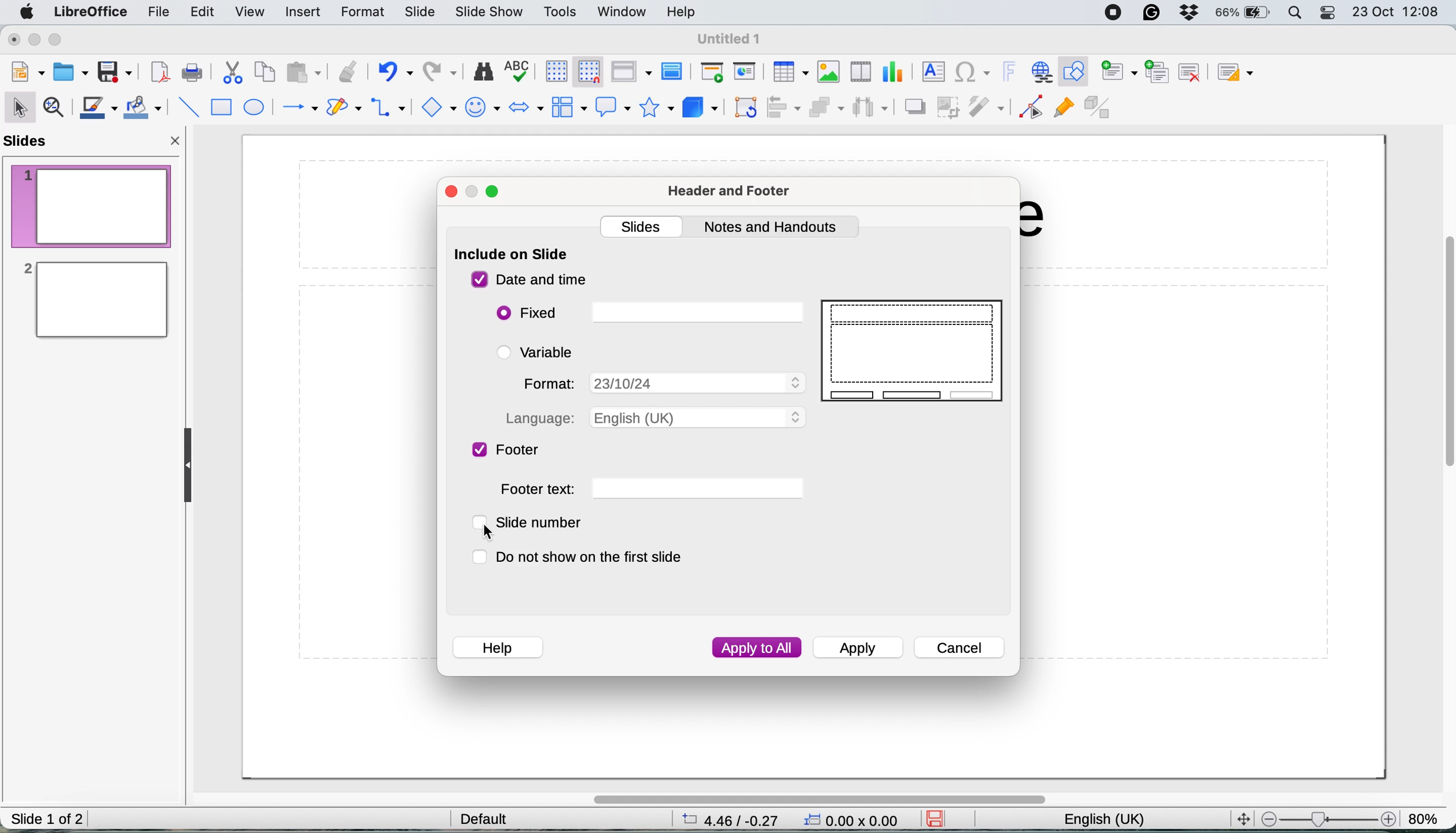 This screenshot has height=833, width=1456. Describe the element at coordinates (818, 799) in the screenshot. I see `horizontal scroll bar` at that location.